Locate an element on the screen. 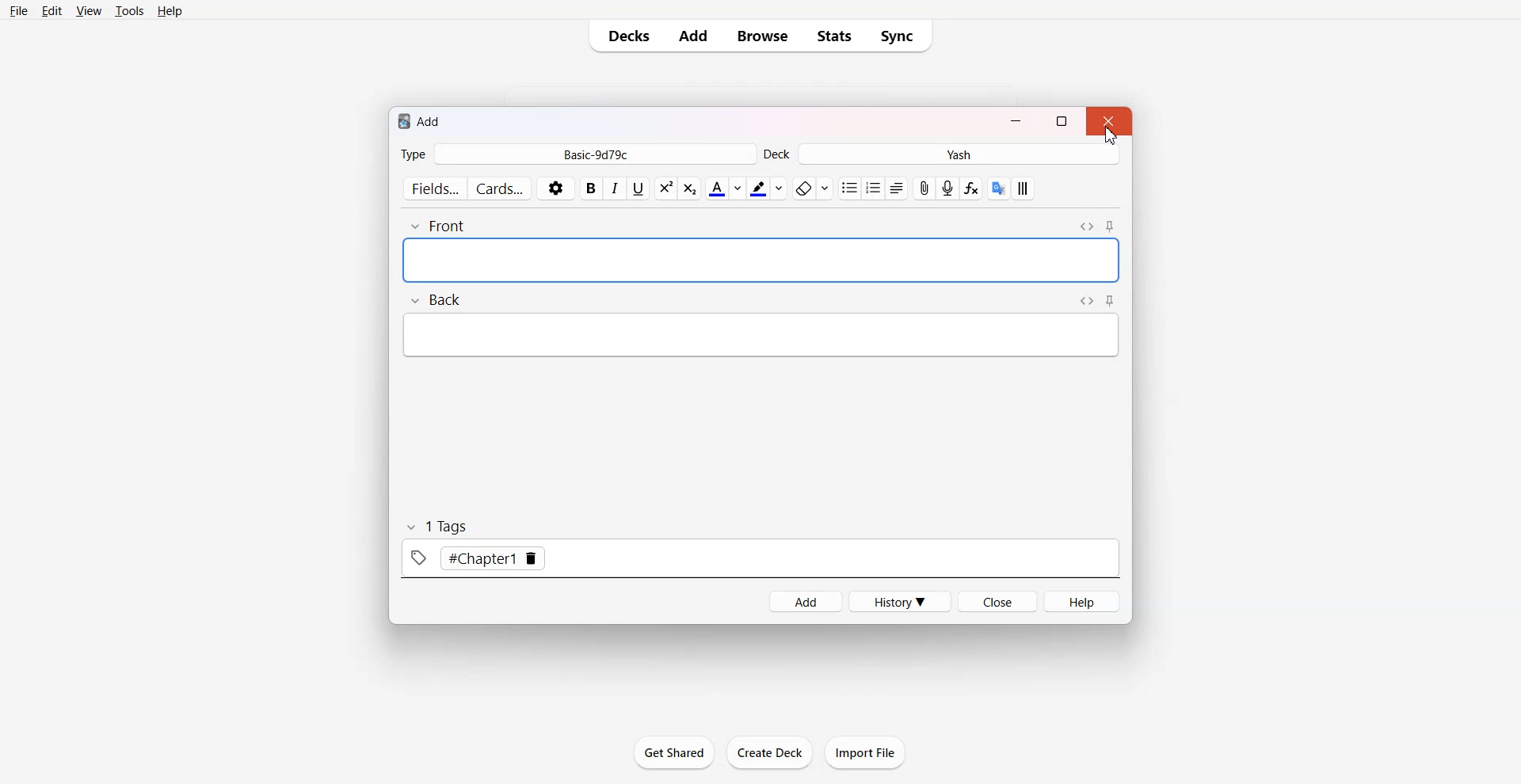 This screenshot has width=1521, height=784. Fields is located at coordinates (433, 188).